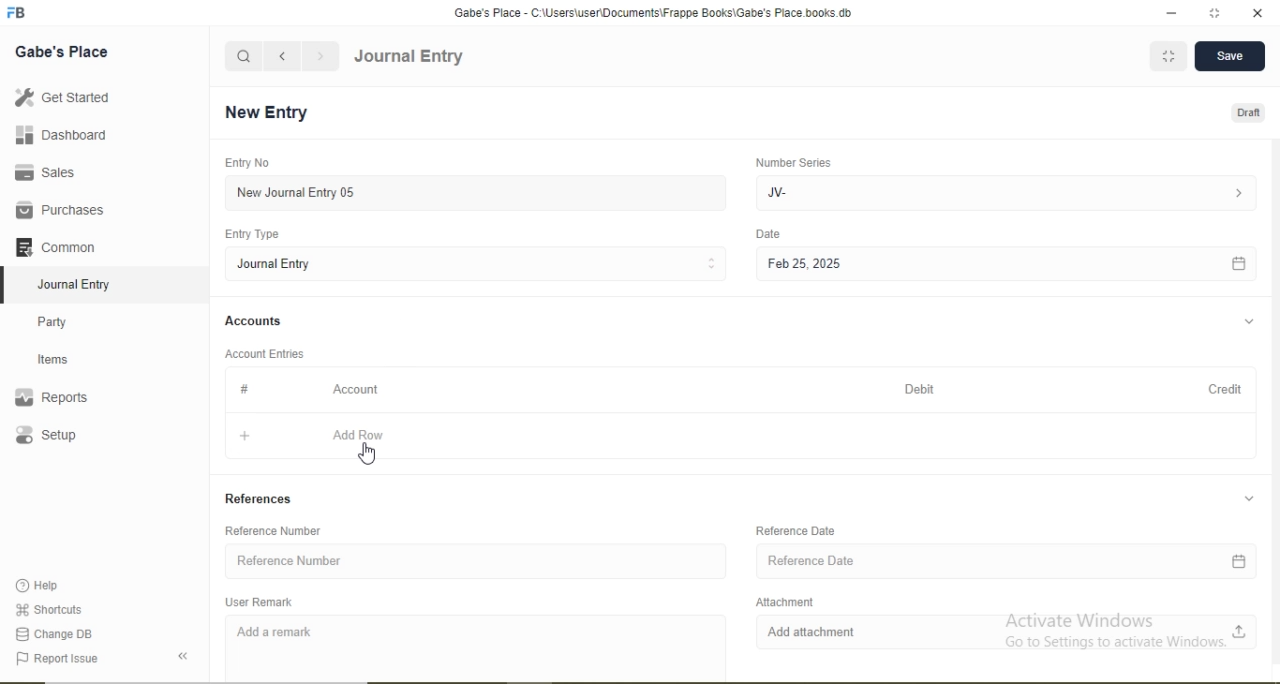  What do you see at coordinates (244, 162) in the screenshot?
I see `Entry No` at bounding box center [244, 162].